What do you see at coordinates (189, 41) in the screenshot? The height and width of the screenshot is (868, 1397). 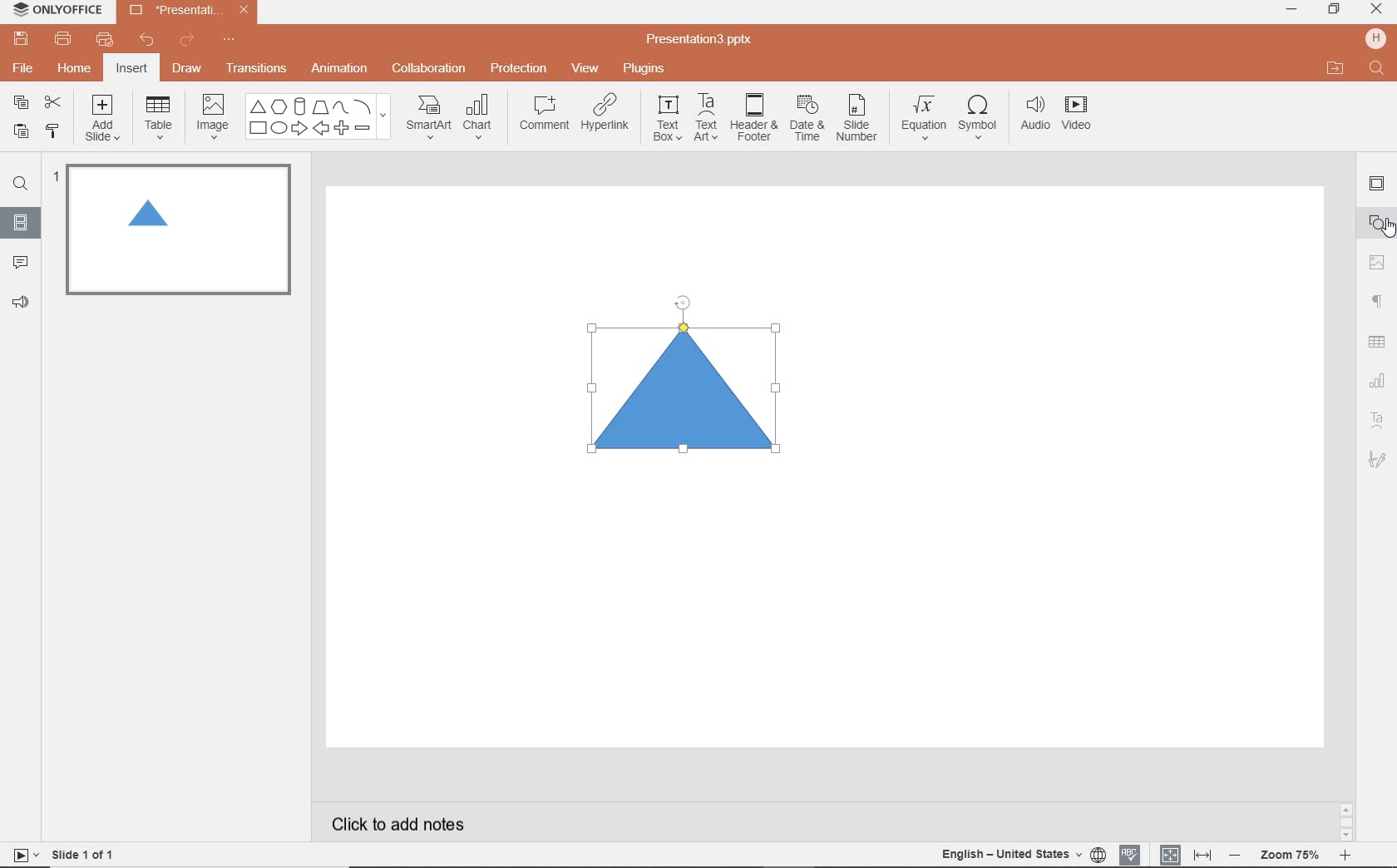 I see `REDO` at bounding box center [189, 41].